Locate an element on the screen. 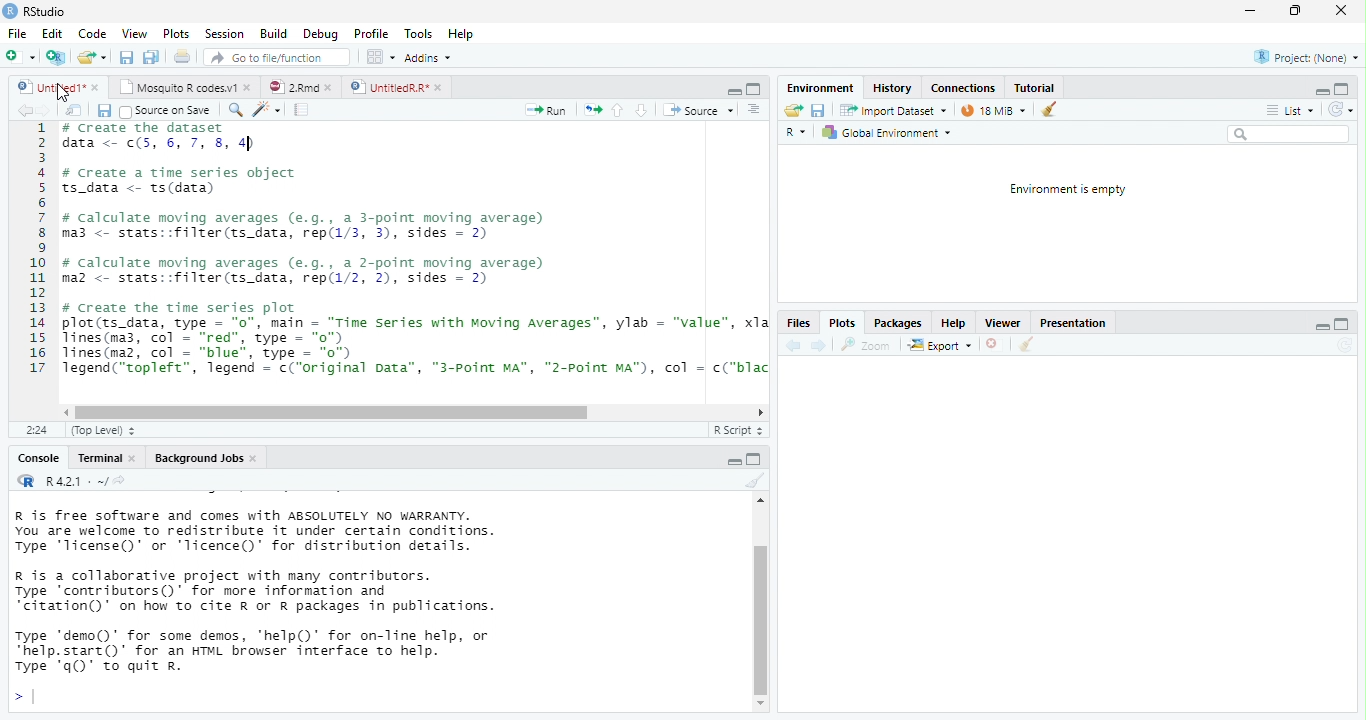 The width and height of the screenshot is (1366, 720). List is located at coordinates (1289, 111).